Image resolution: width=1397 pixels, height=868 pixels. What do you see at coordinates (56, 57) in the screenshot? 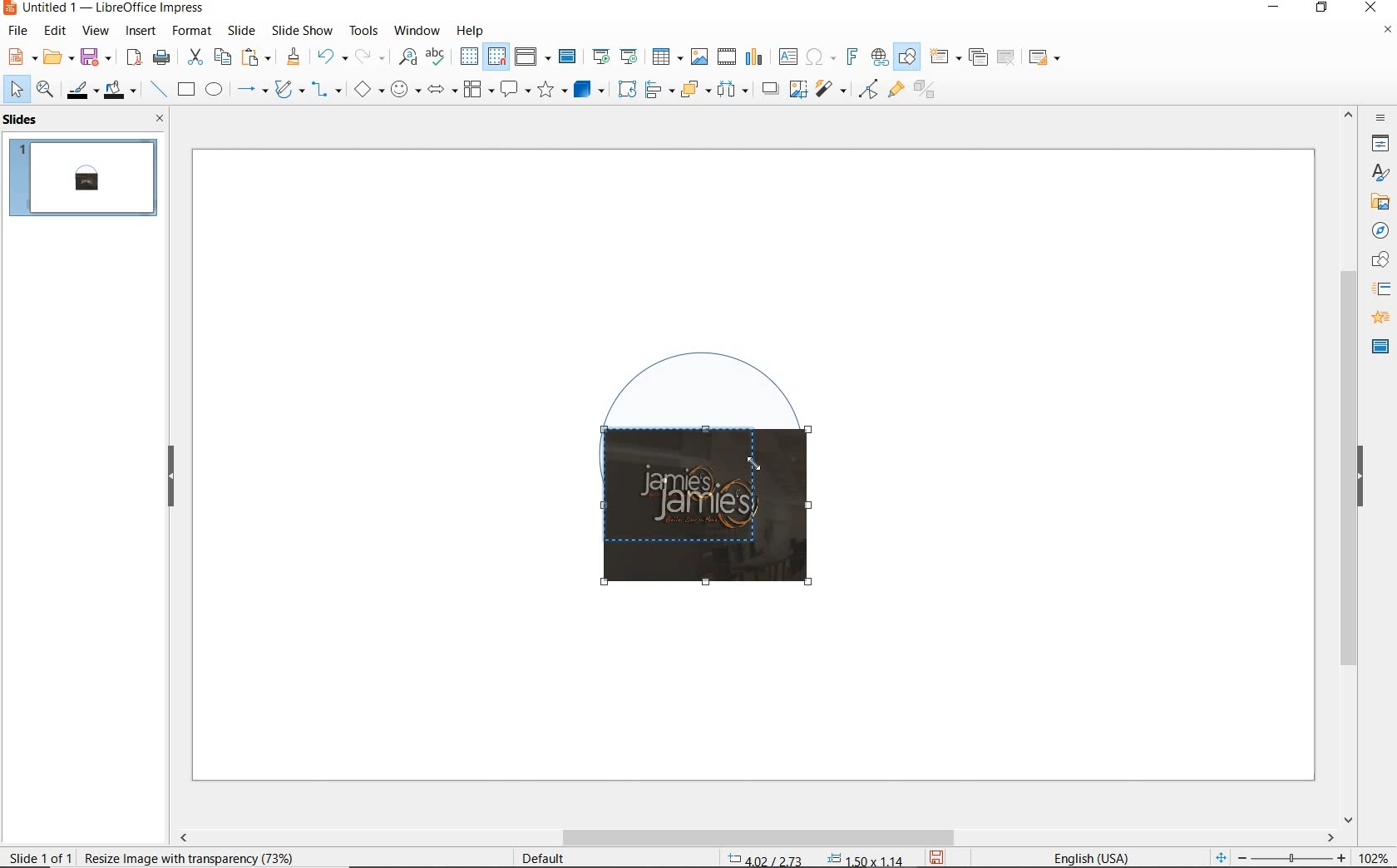
I see `open` at bounding box center [56, 57].